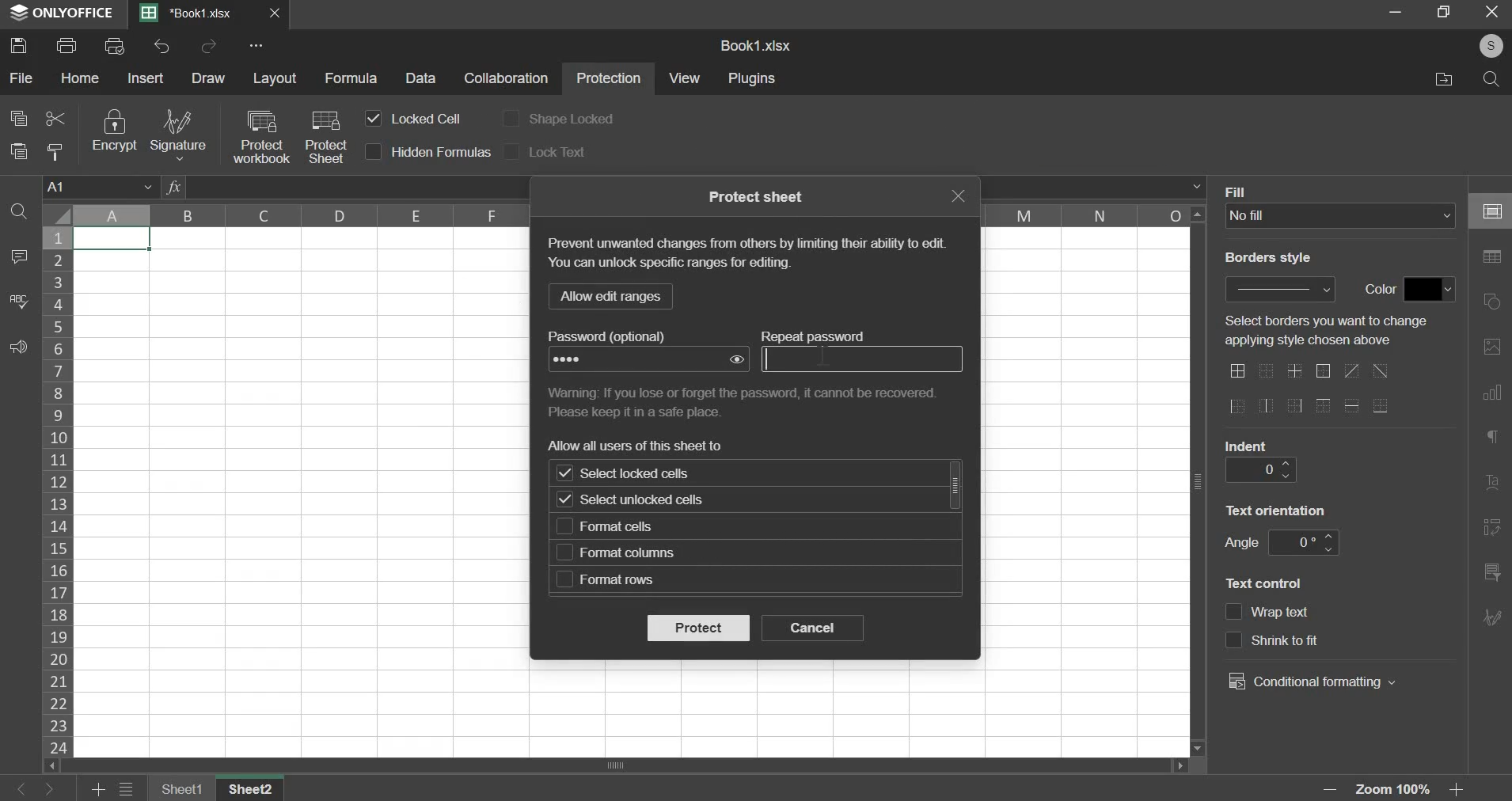 The height and width of the screenshot is (801, 1512). What do you see at coordinates (738, 359) in the screenshot?
I see `show password` at bounding box center [738, 359].